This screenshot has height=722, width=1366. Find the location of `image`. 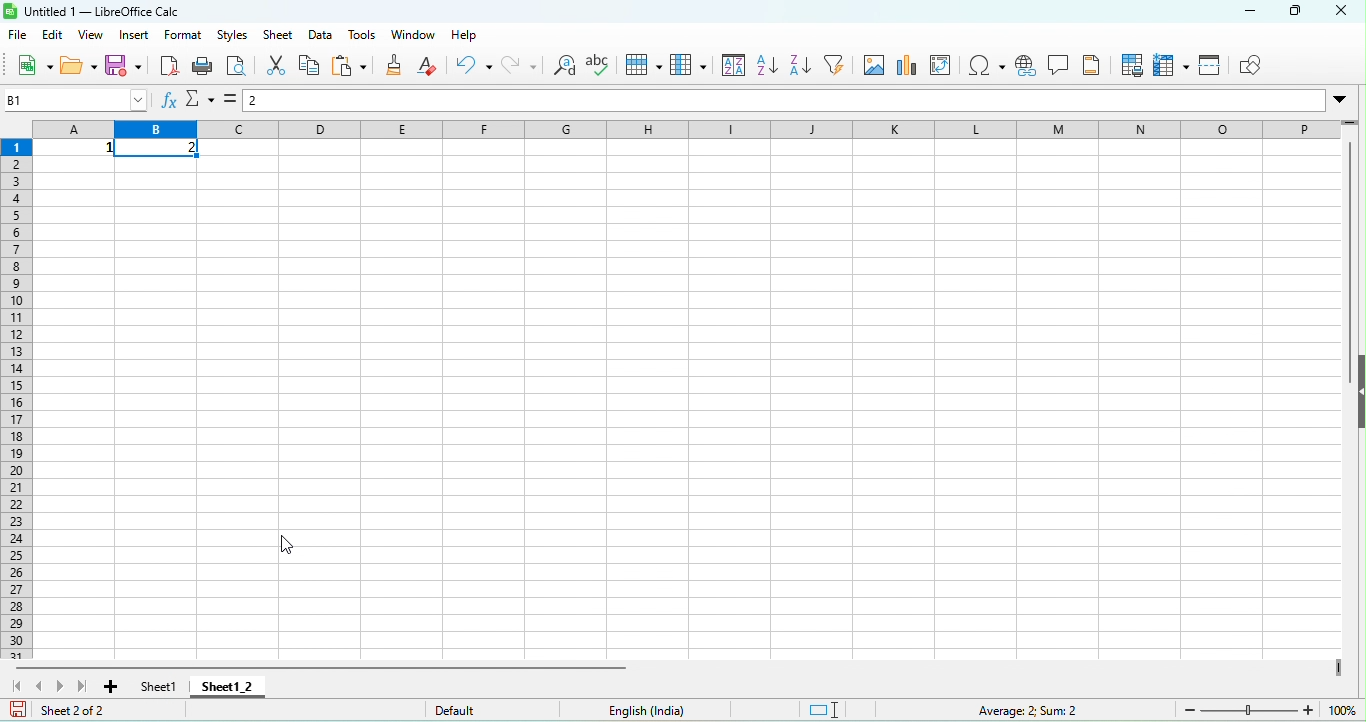

image is located at coordinates (876, 69).